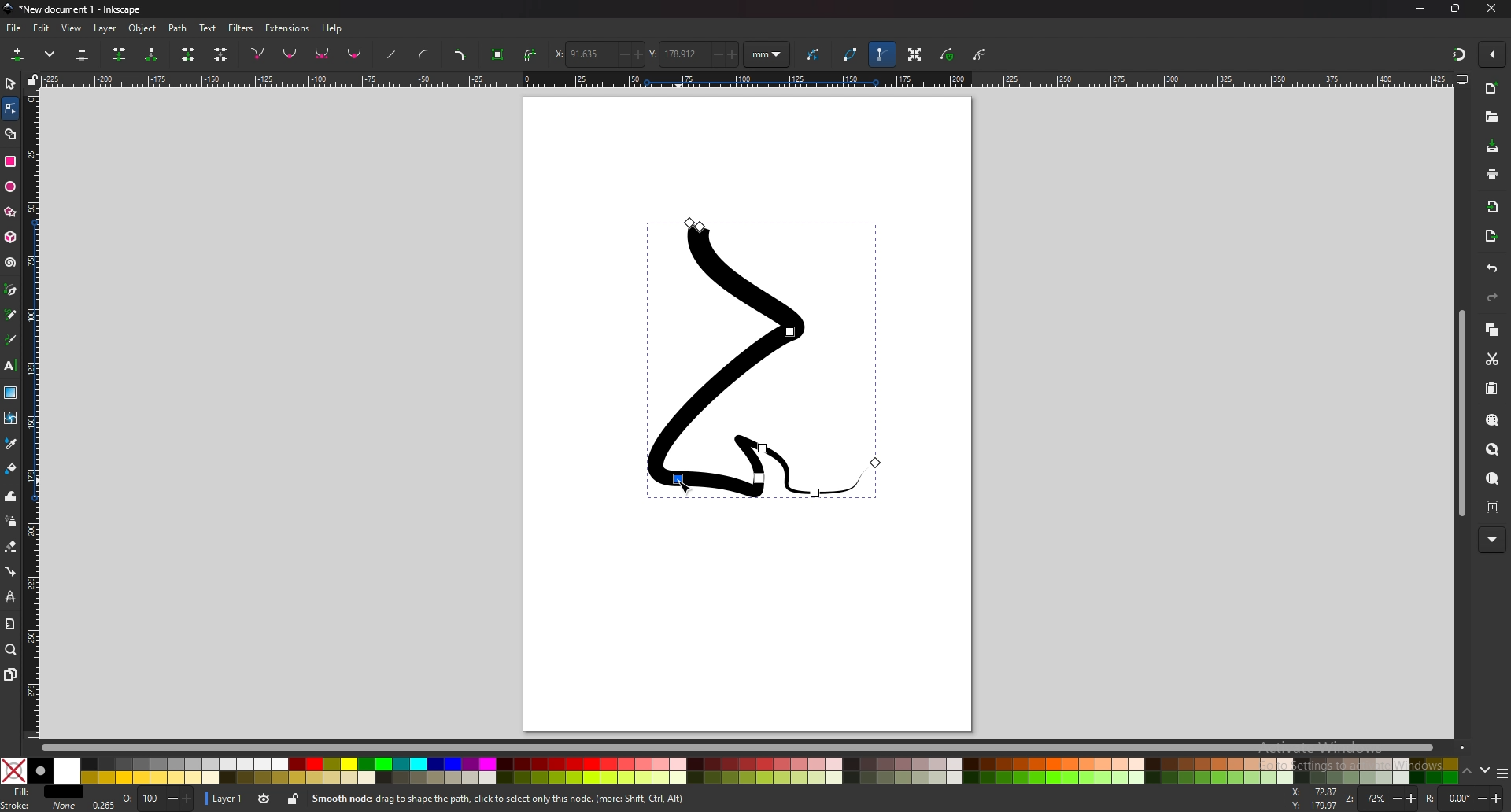 The height and width of the screenshot is (812, 1511). What do you see at coordinates (11, 314) in the screenshot?
I see `pencil` at bounding box center [11, 314].